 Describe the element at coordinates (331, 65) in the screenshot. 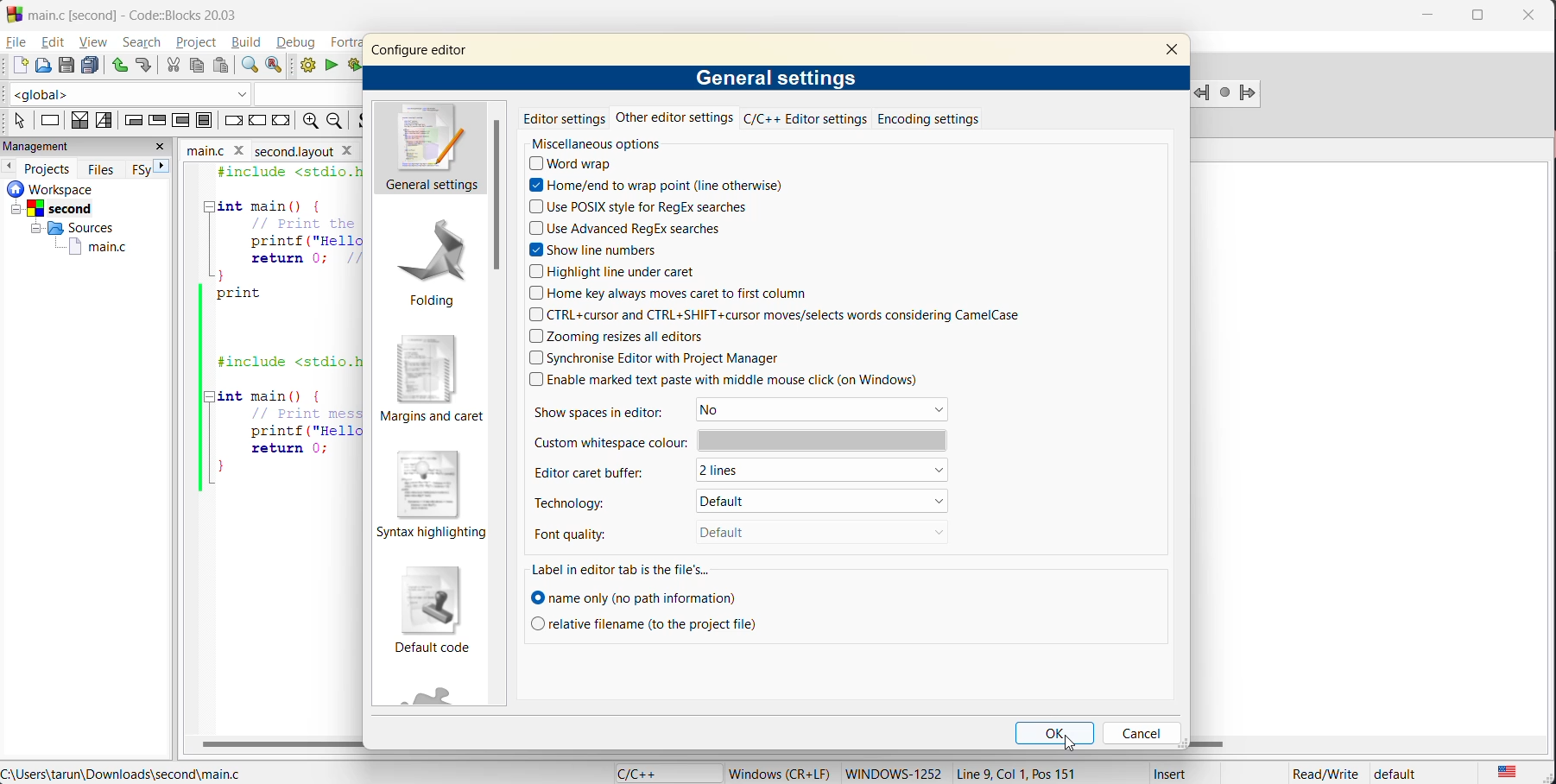

I see `run` at that location.